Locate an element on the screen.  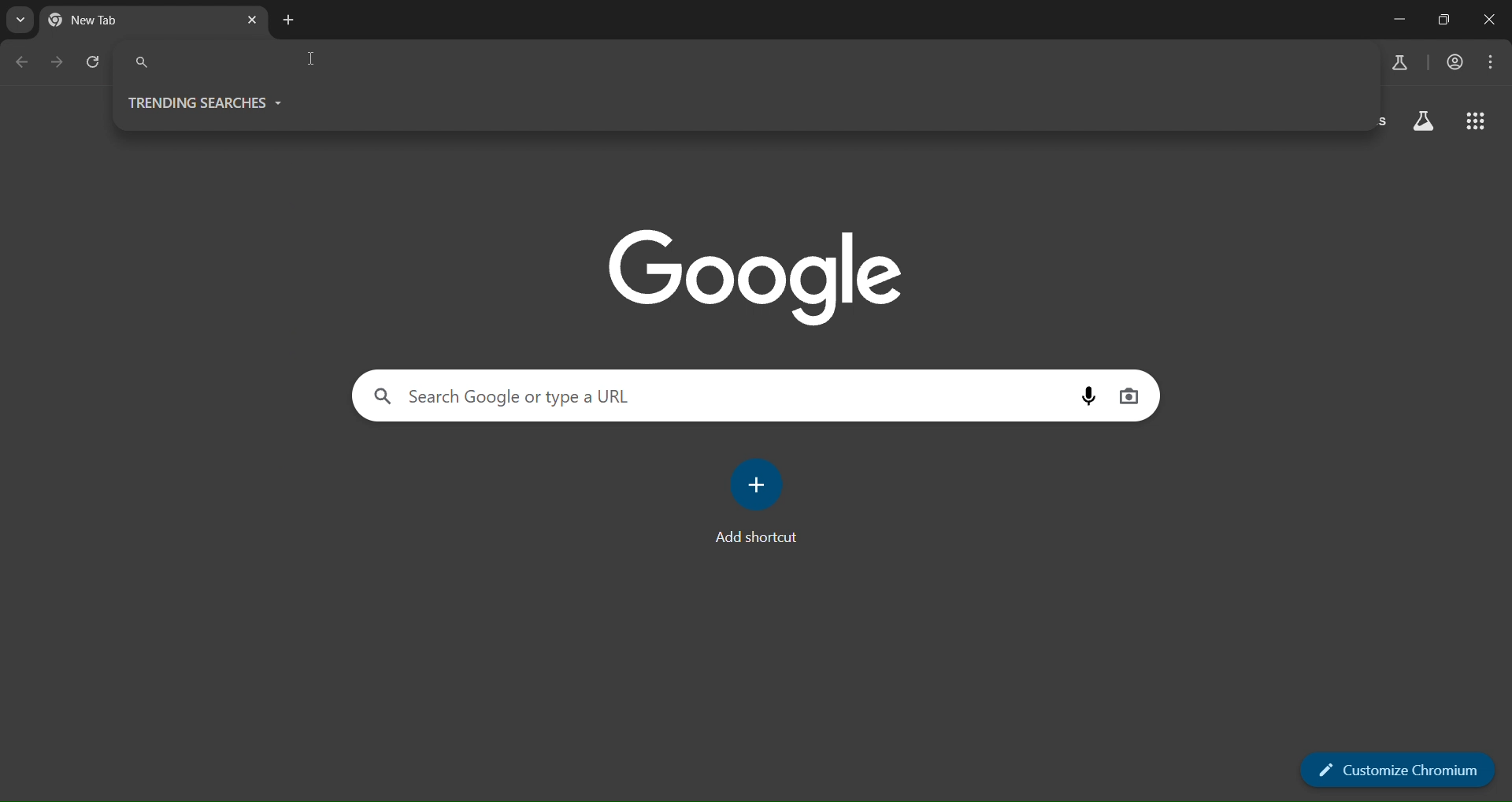
reload page is located at coordinates (91, 62).